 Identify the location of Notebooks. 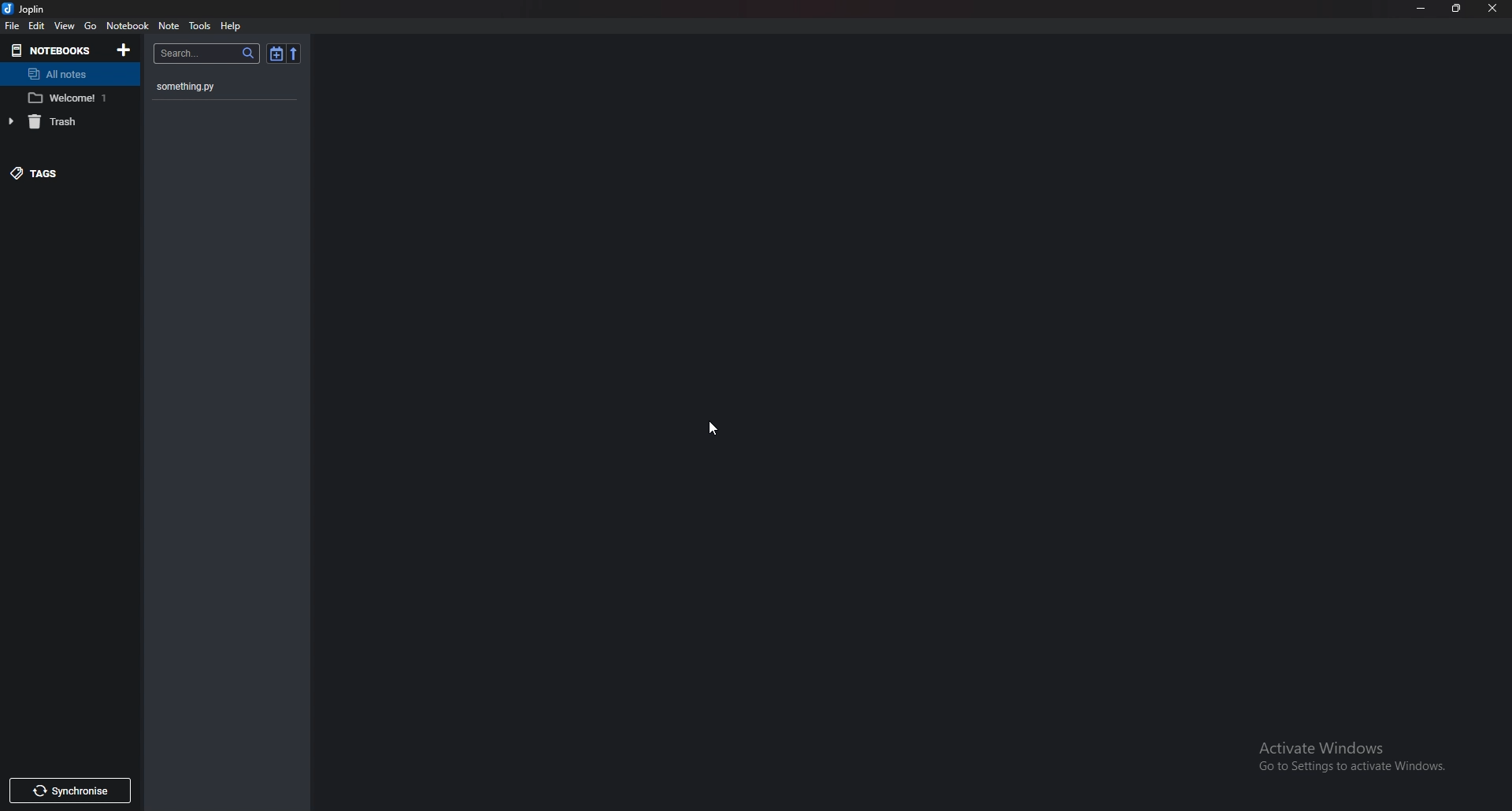
(51, 50).